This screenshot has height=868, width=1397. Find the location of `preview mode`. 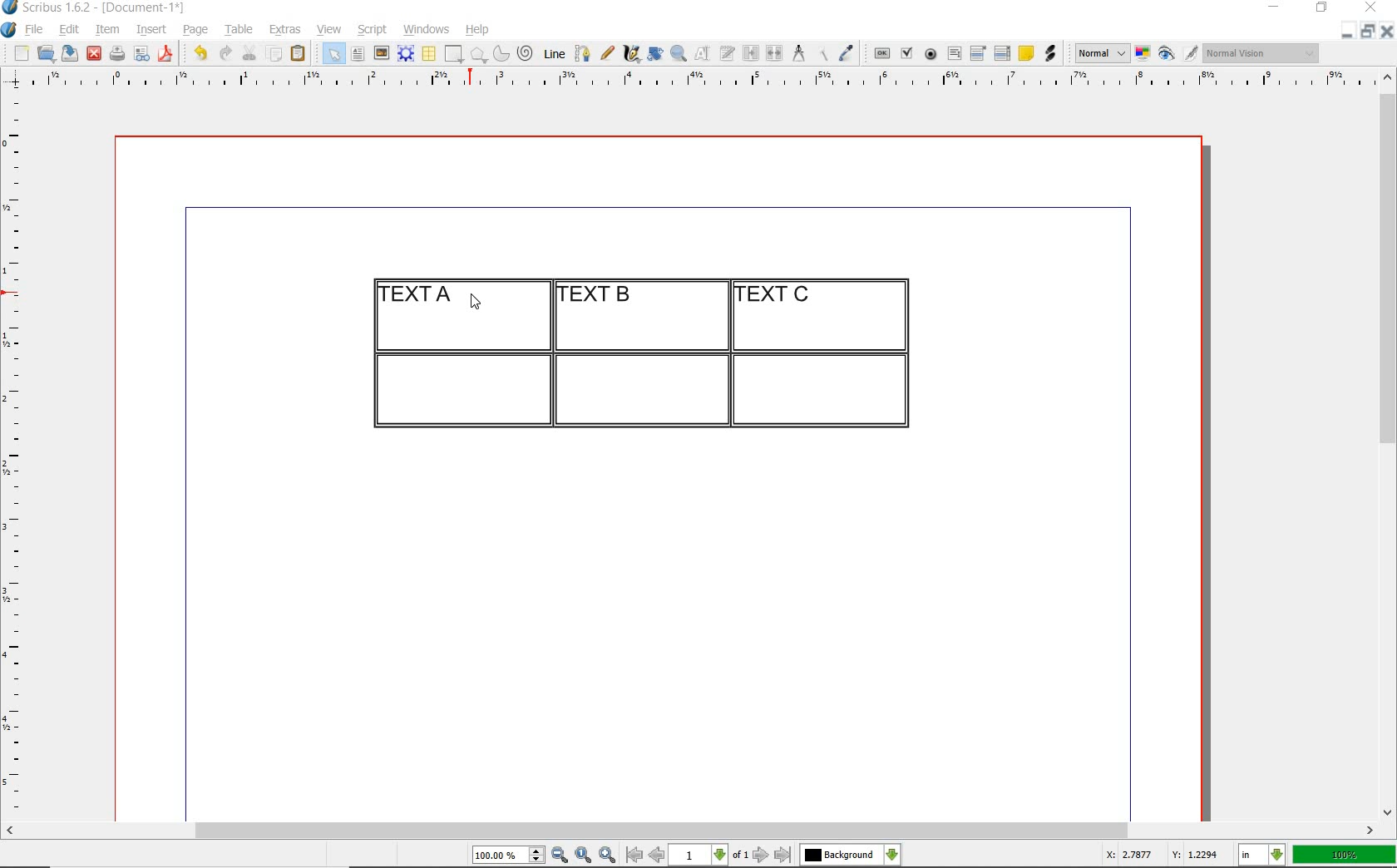

preview mode is located at coordinates (1178, 54).